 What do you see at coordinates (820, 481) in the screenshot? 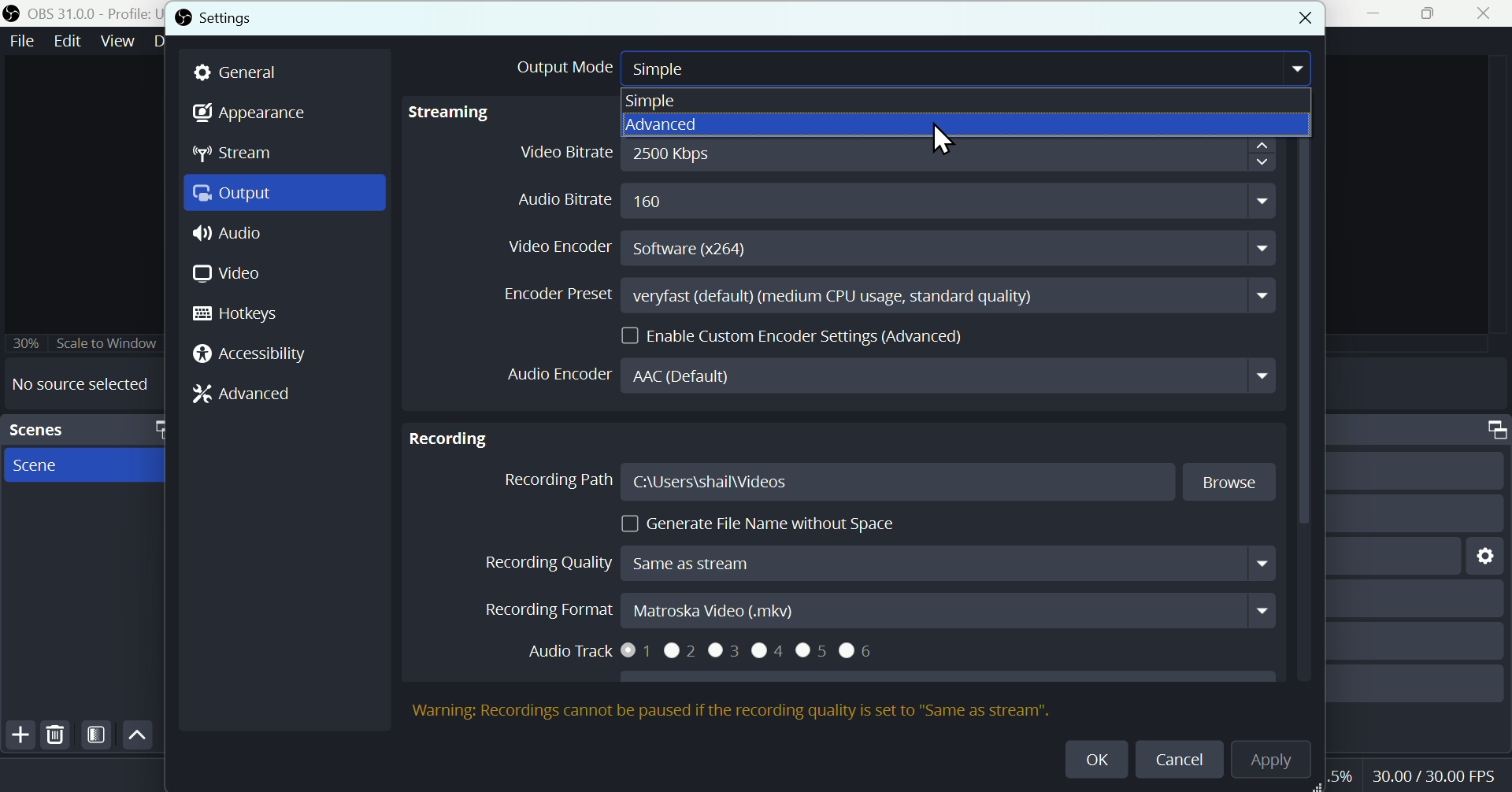
I see `Recording path` at bounding box center [820, 481].